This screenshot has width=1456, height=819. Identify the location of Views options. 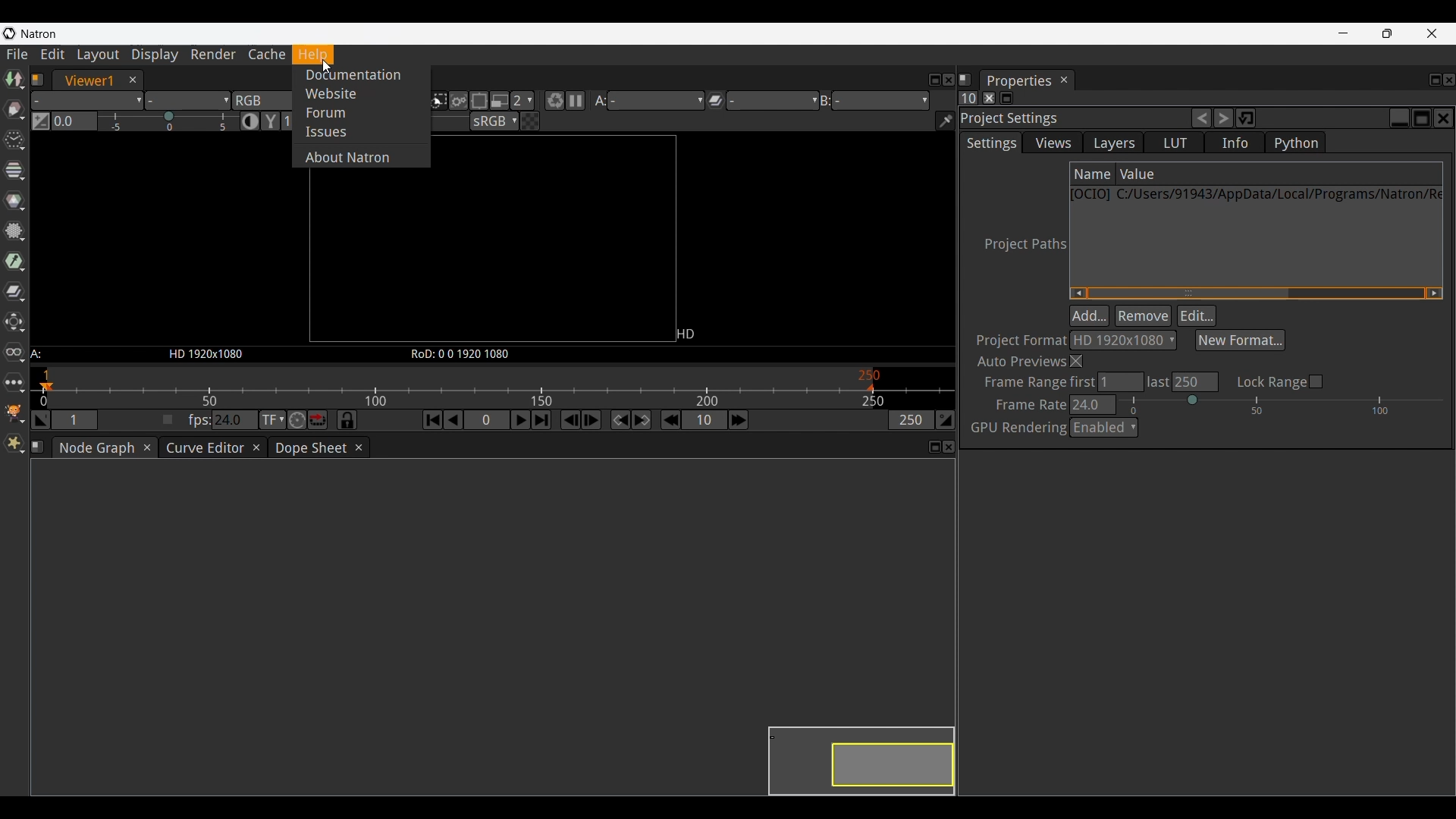
(14, 353).